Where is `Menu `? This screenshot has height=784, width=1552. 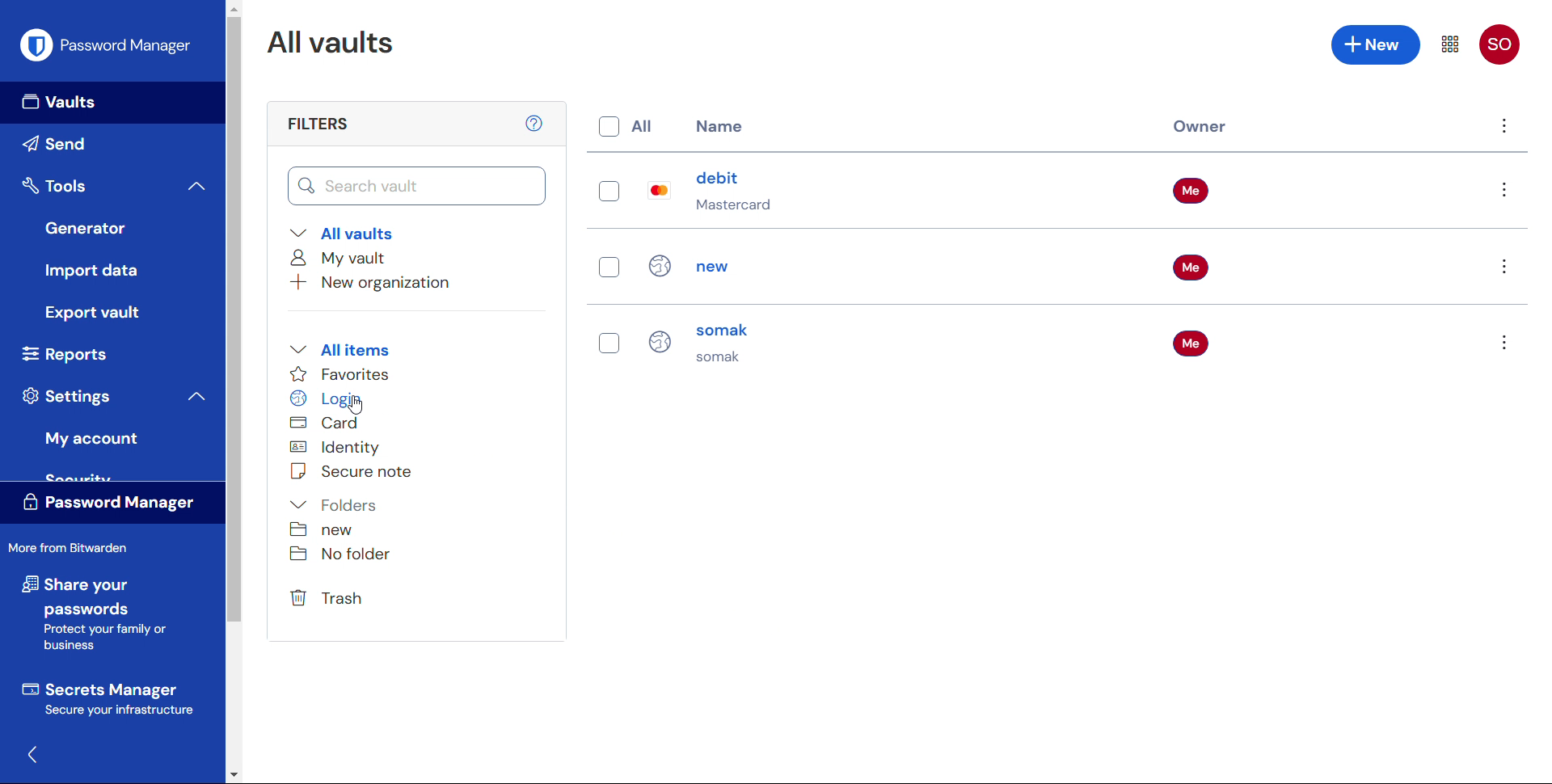 Menu  is located at coordinates (1503, 126).